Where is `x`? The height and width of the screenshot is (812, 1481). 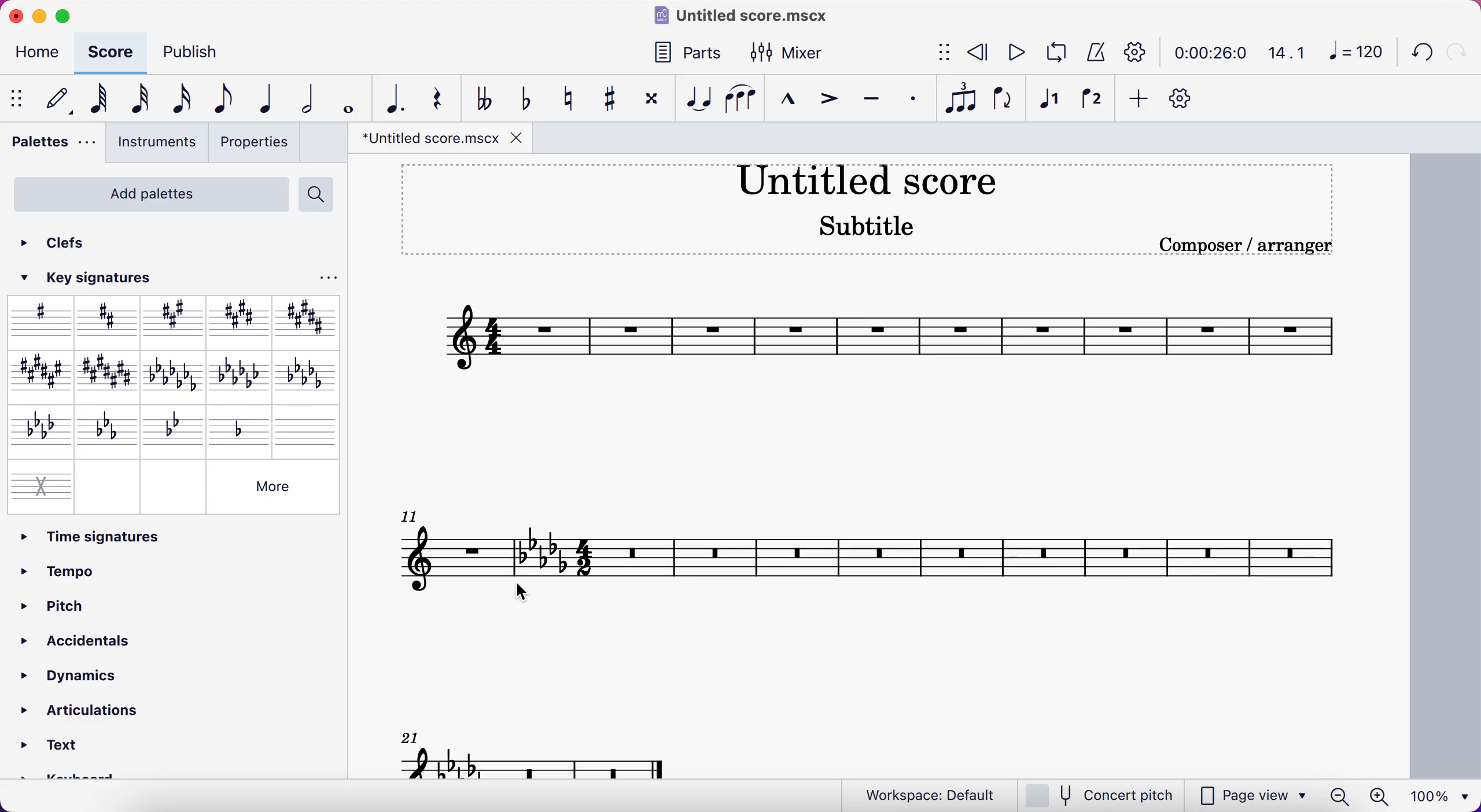 x is located at coordinates (39, 483).